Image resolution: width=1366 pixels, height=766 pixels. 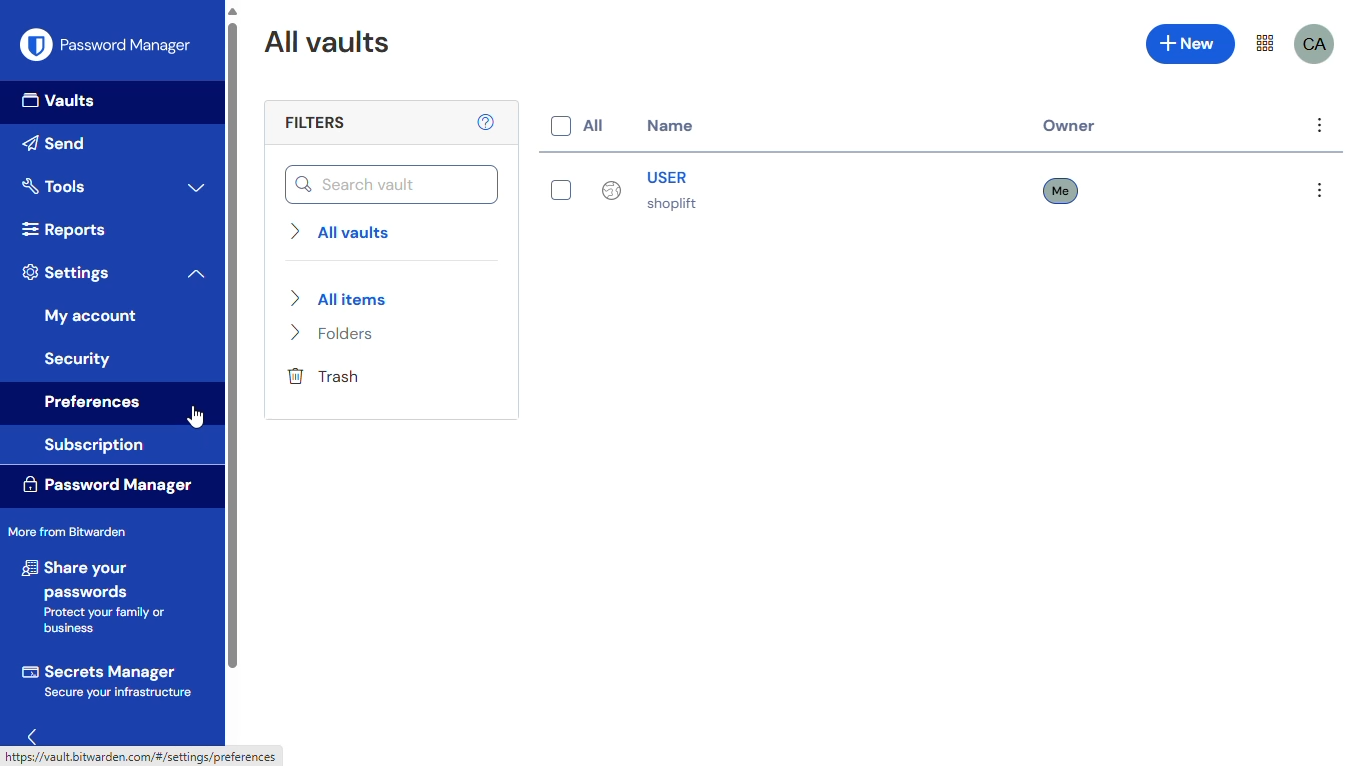 What do you see at coordinates (94, 404) in the screenshot?
I see `preferences` at bounding box center [94, 404].